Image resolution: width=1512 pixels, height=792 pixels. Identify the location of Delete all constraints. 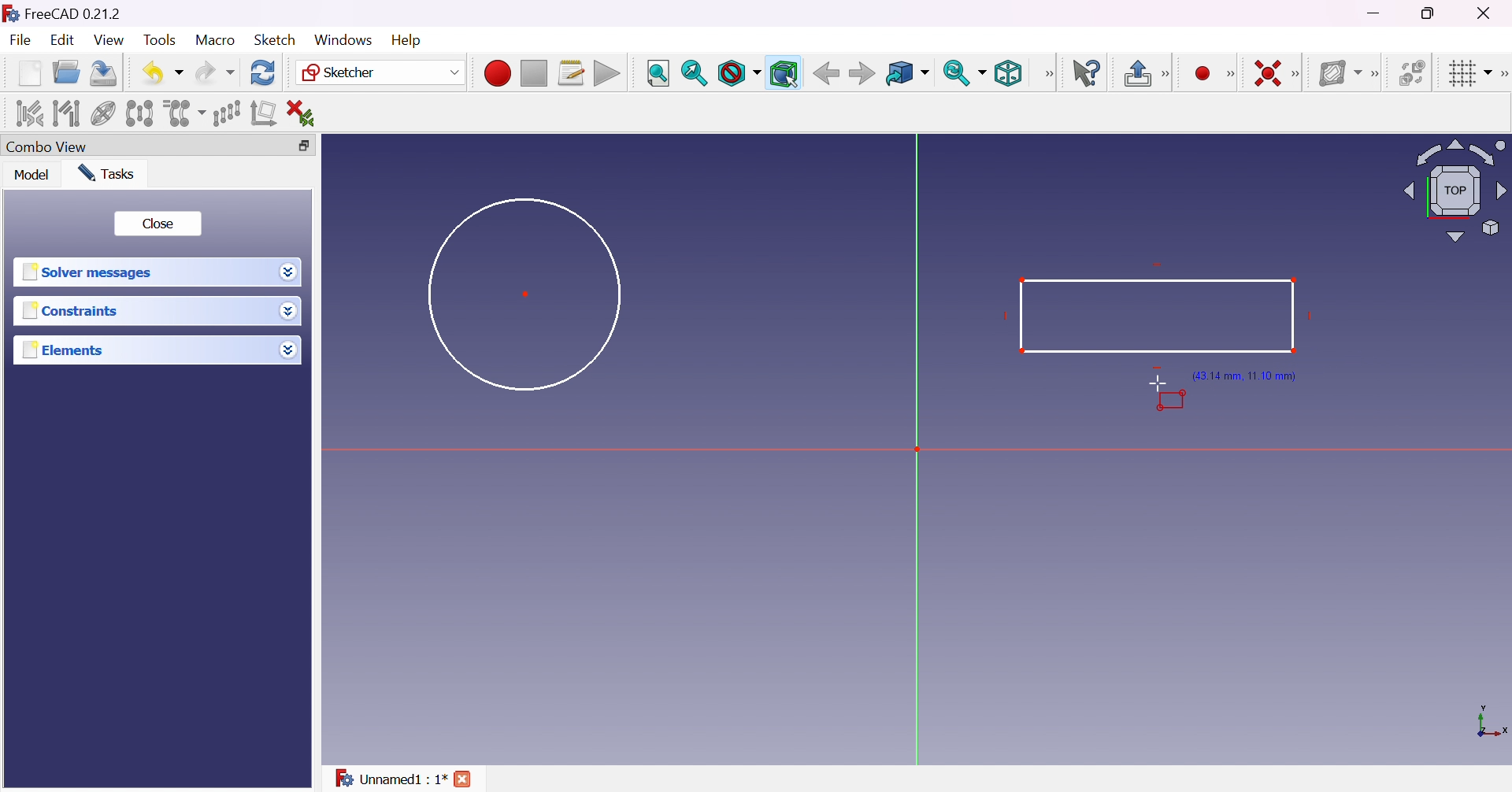
(306, 113).